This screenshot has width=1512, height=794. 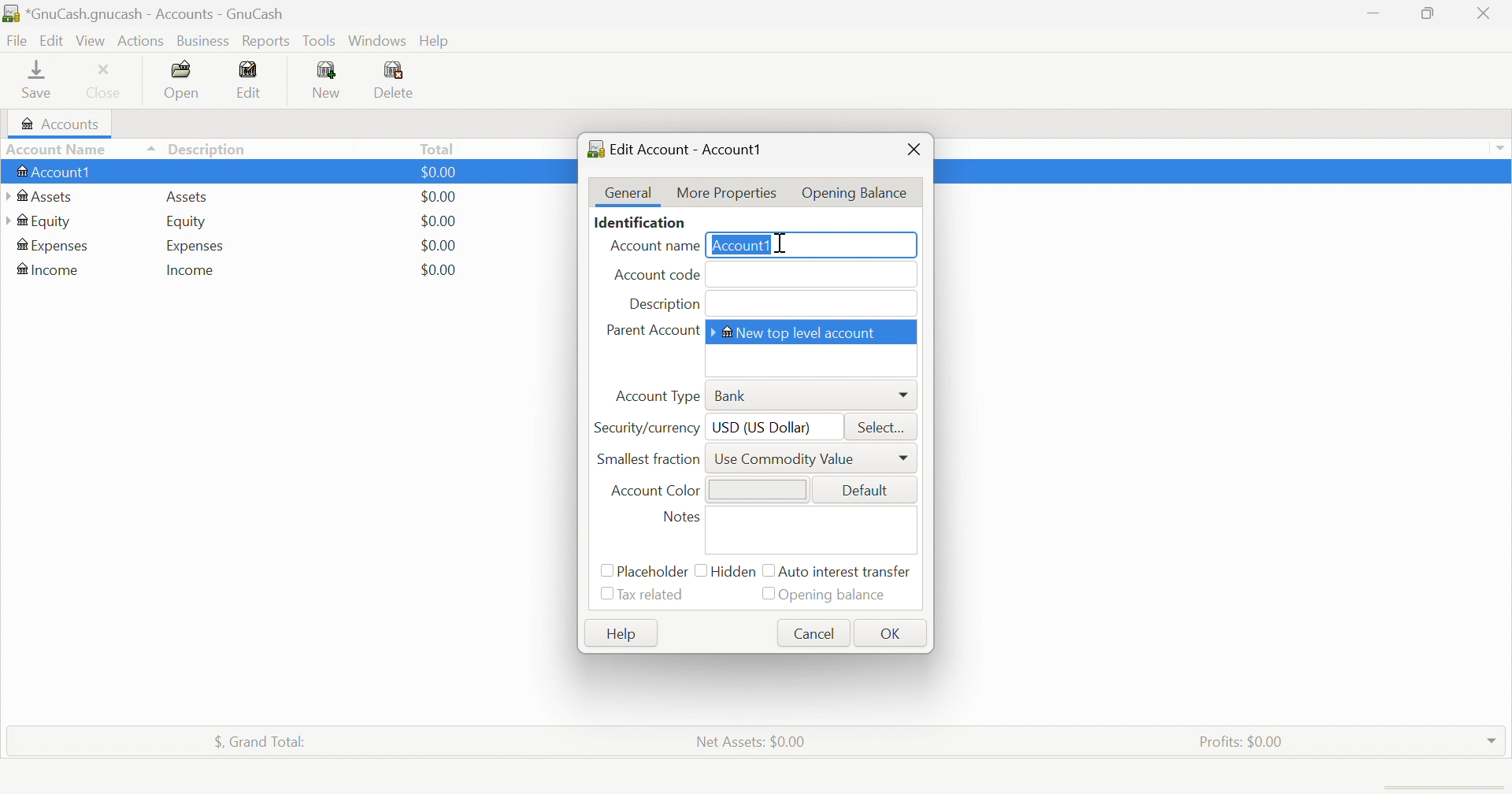 I want to click on Account Type, so click(x=658, y=395).